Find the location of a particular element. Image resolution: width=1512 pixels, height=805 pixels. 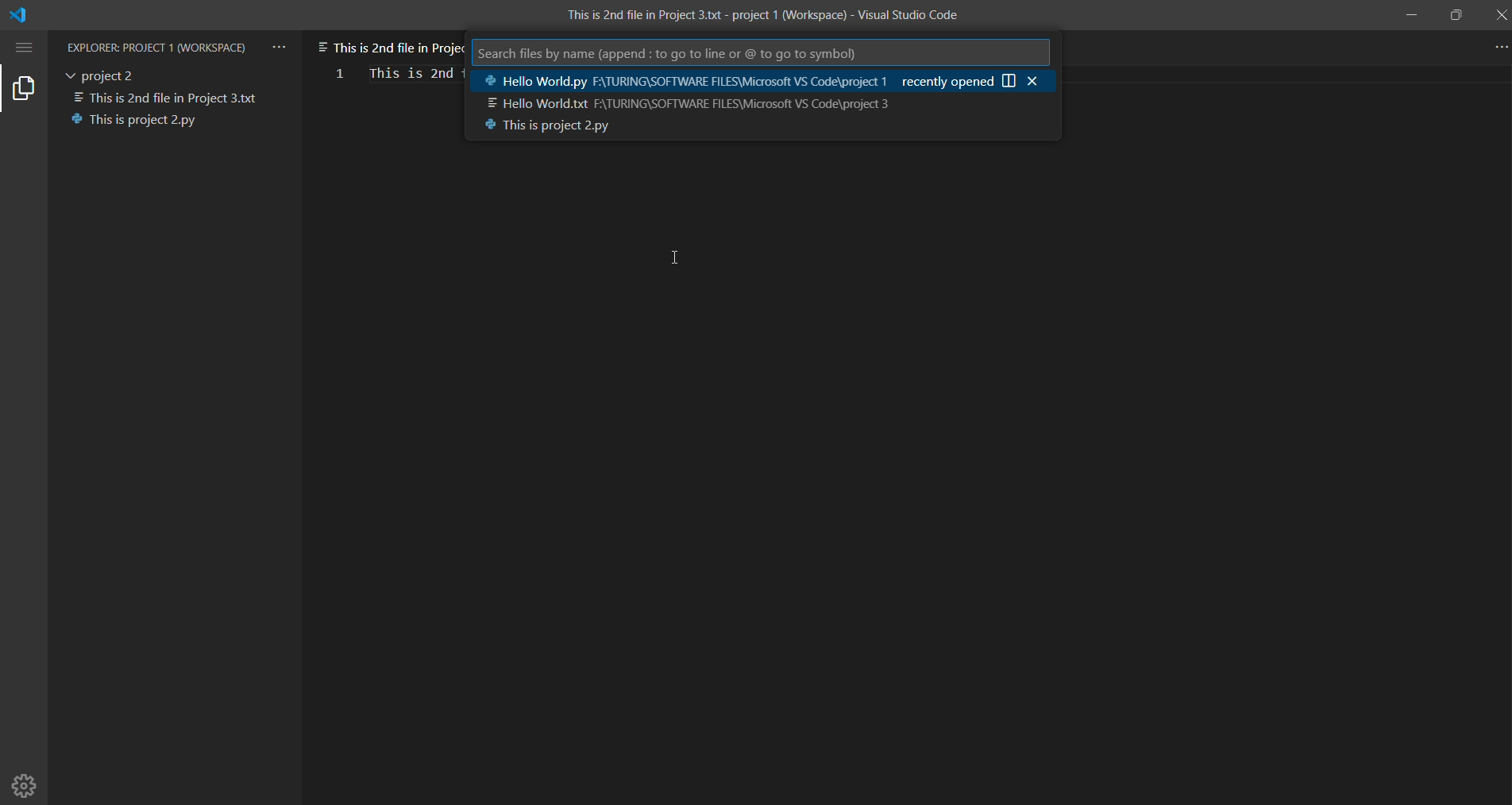

more action is located at coordinates (1498, 48).